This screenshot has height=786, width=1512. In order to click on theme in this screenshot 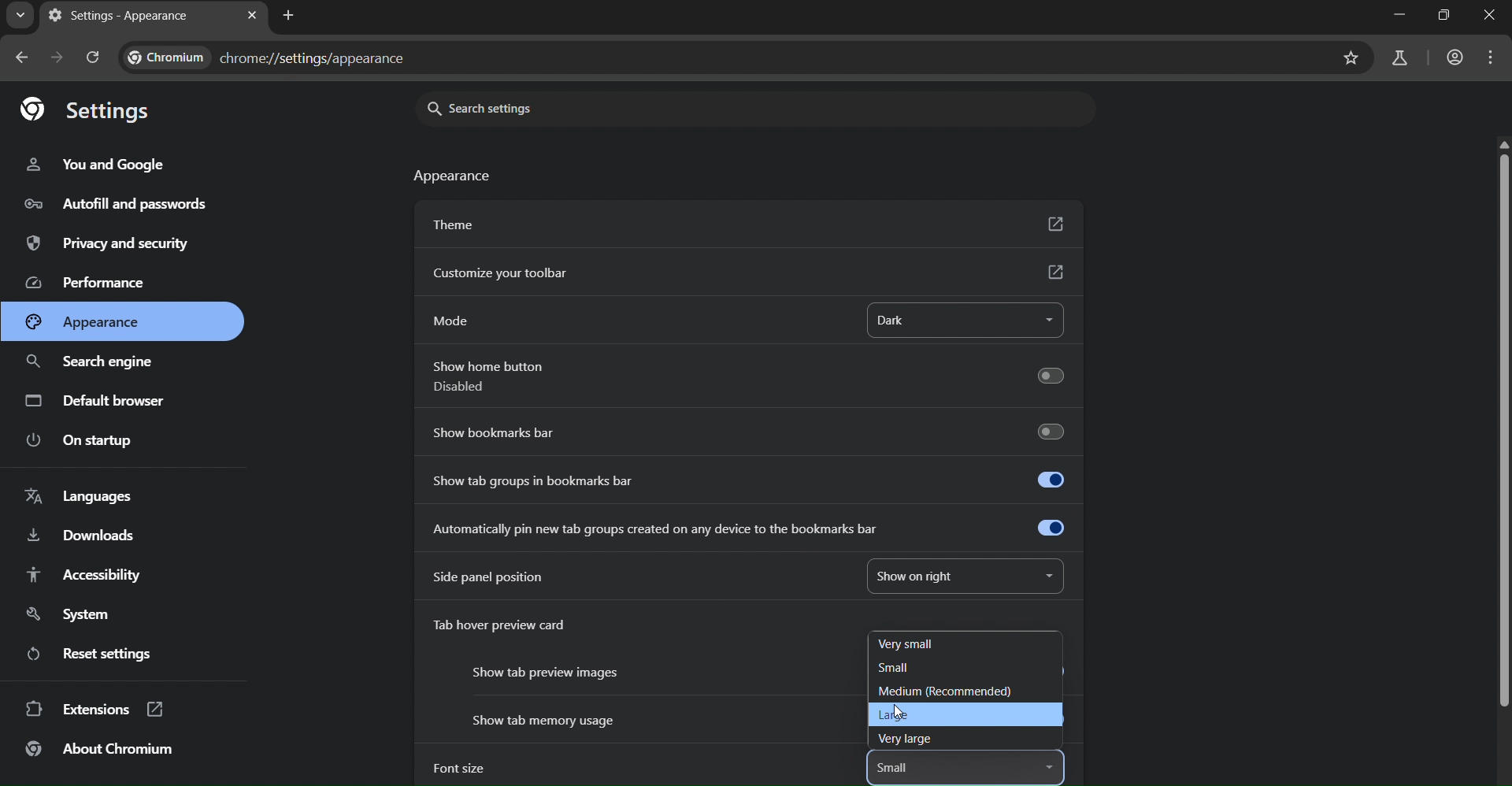, I will do `click(746, 222)`.